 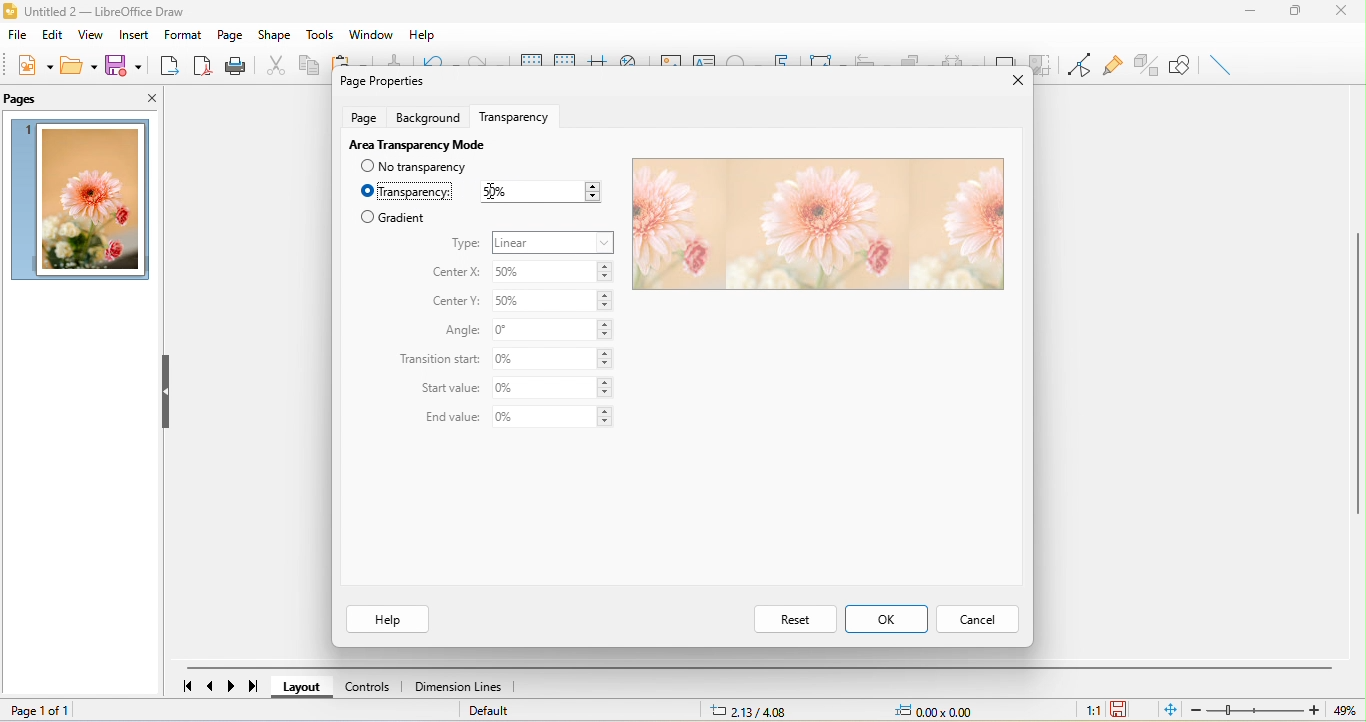 I want to click on page 1 of 1, so click(x=79, y=712).